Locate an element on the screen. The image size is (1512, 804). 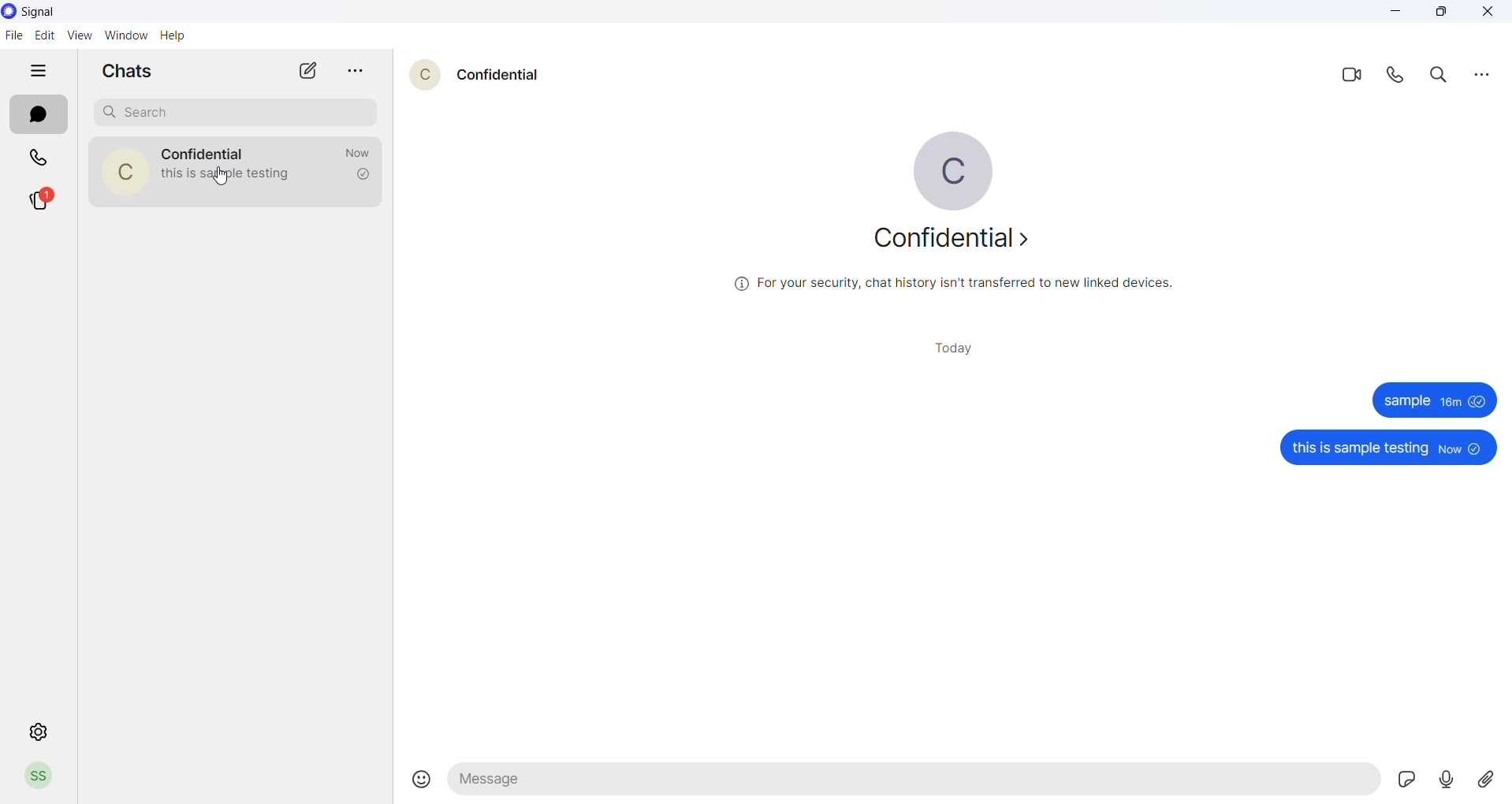
now is located at coordinates (359, 152).